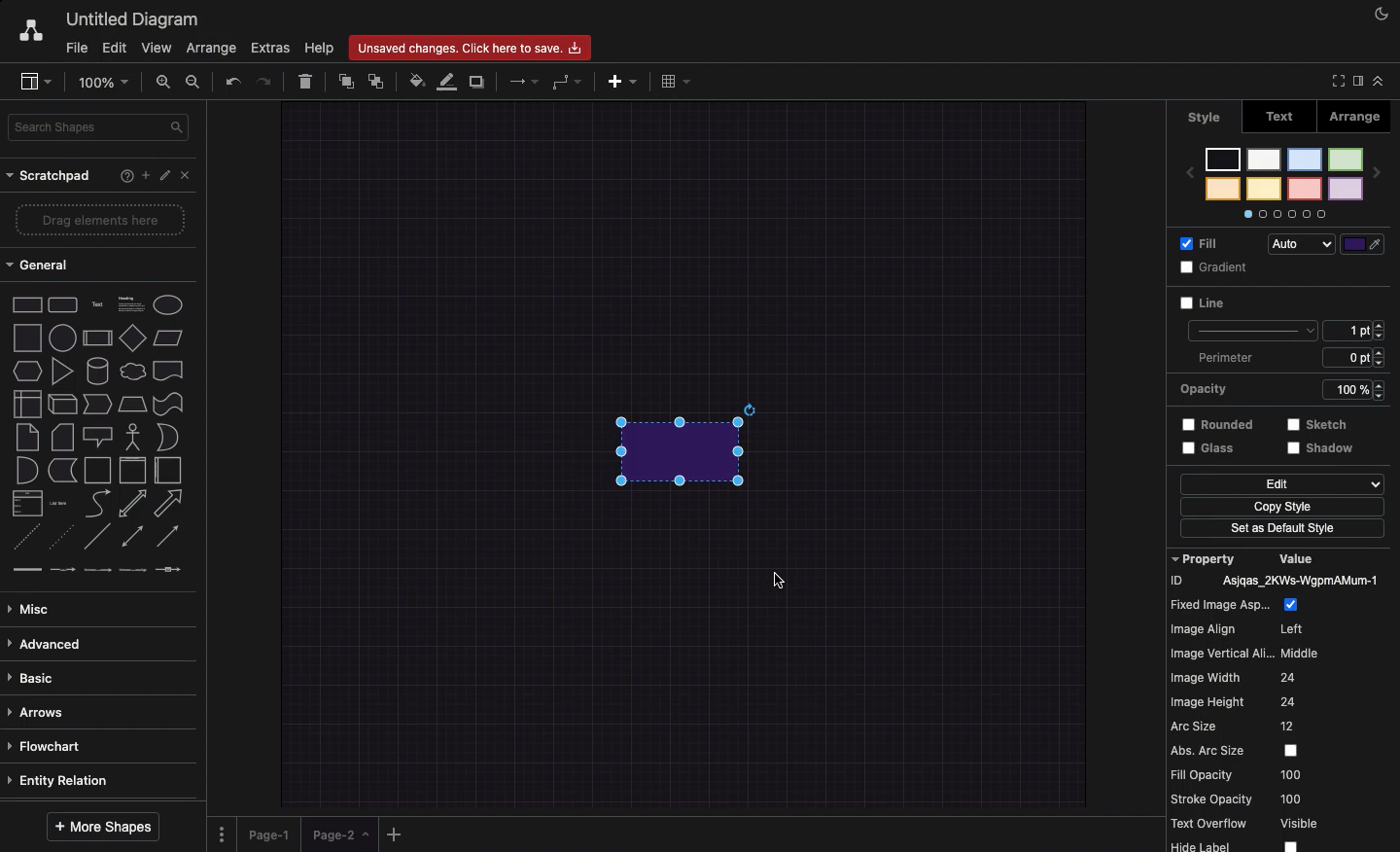 Image resolution: width=1400 pixels, height=852 pixels. I want to click on Line color, so click(450, 81).